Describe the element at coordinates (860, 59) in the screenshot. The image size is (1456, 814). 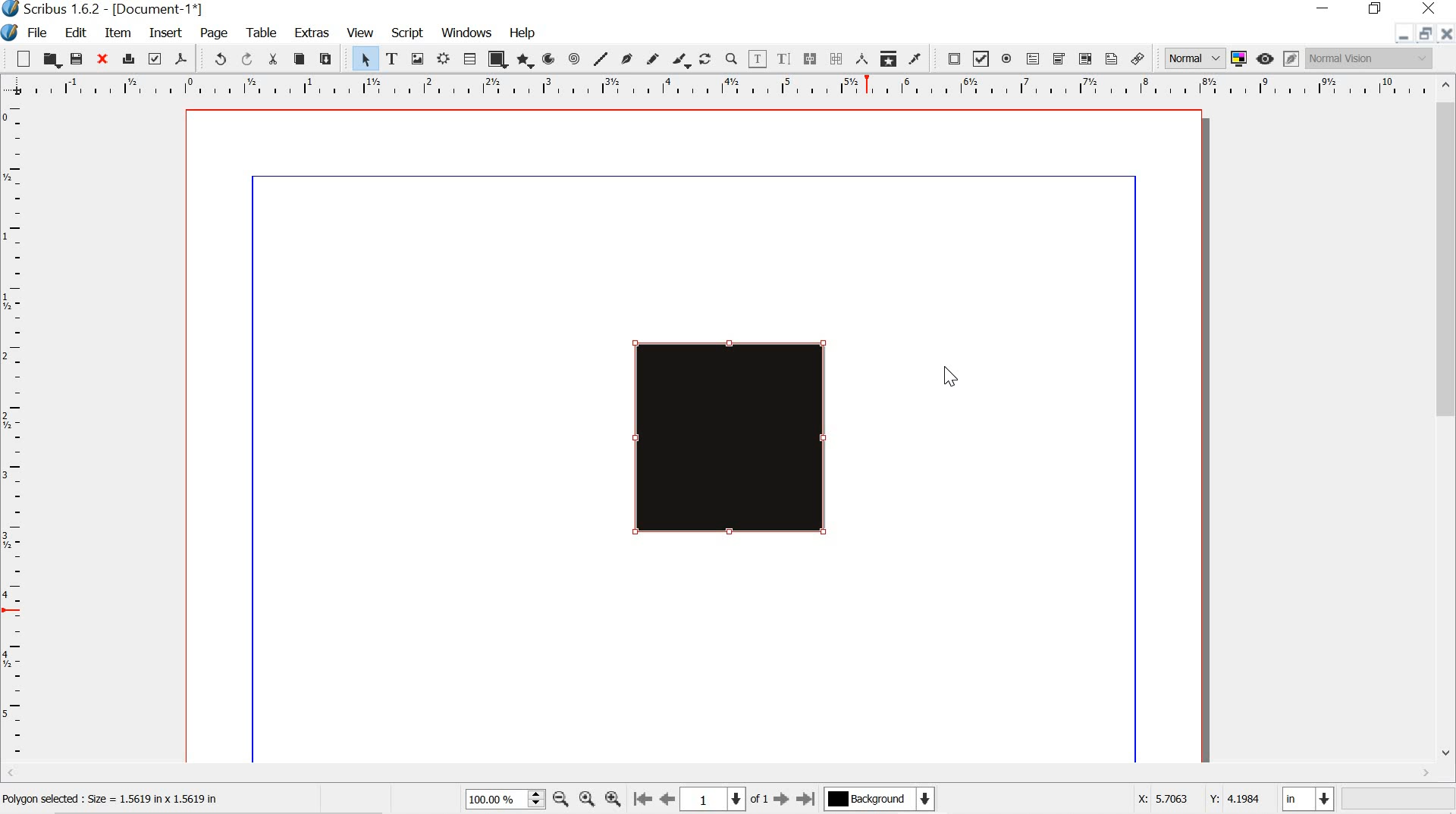
I see `measurements` at that location.